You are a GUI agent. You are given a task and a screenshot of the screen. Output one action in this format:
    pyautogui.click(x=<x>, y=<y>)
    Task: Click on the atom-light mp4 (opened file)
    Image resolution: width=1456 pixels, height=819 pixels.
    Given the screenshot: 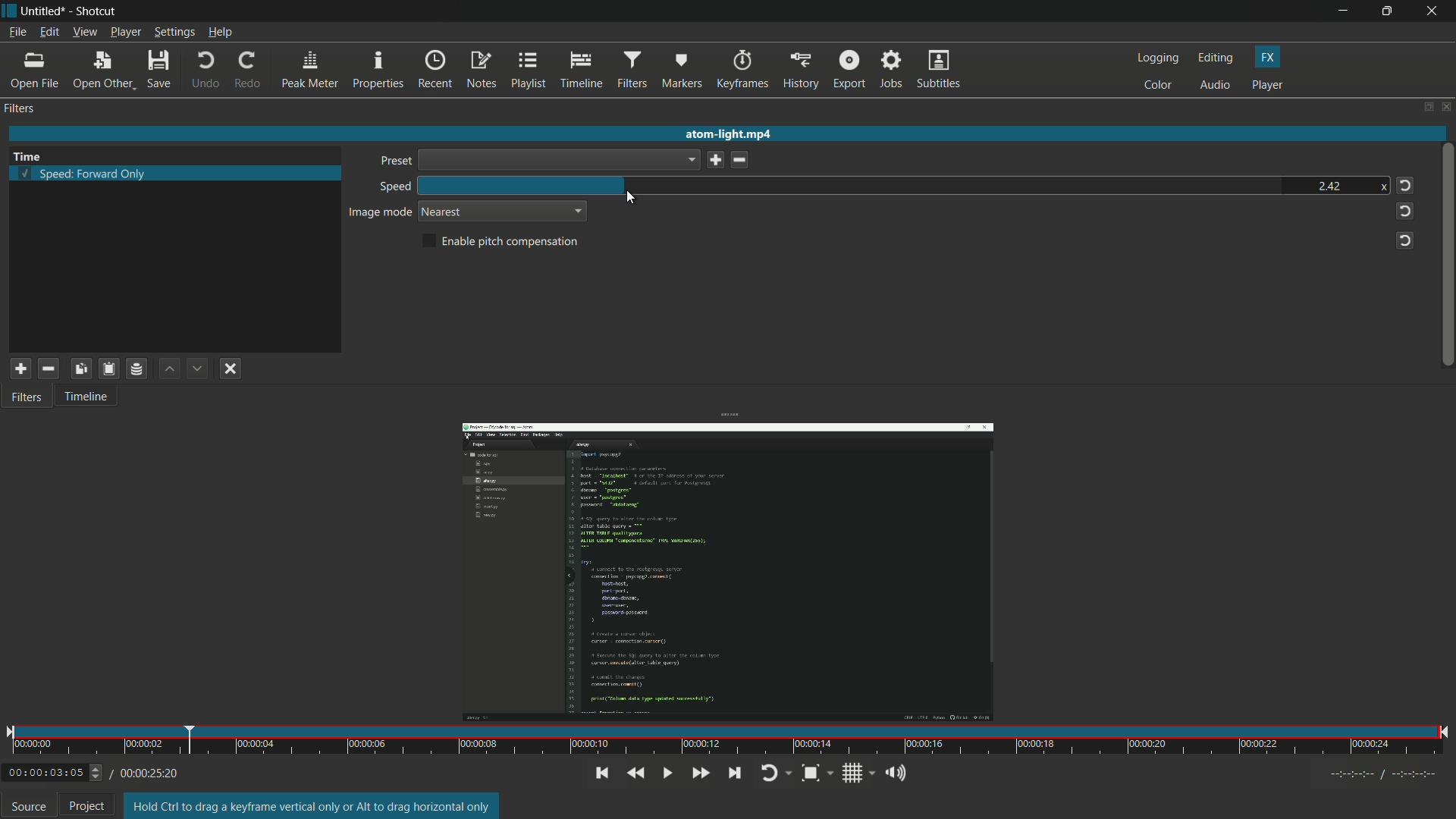 What is the action you would take?
    pyautogui.click(x=733, y=132)
    